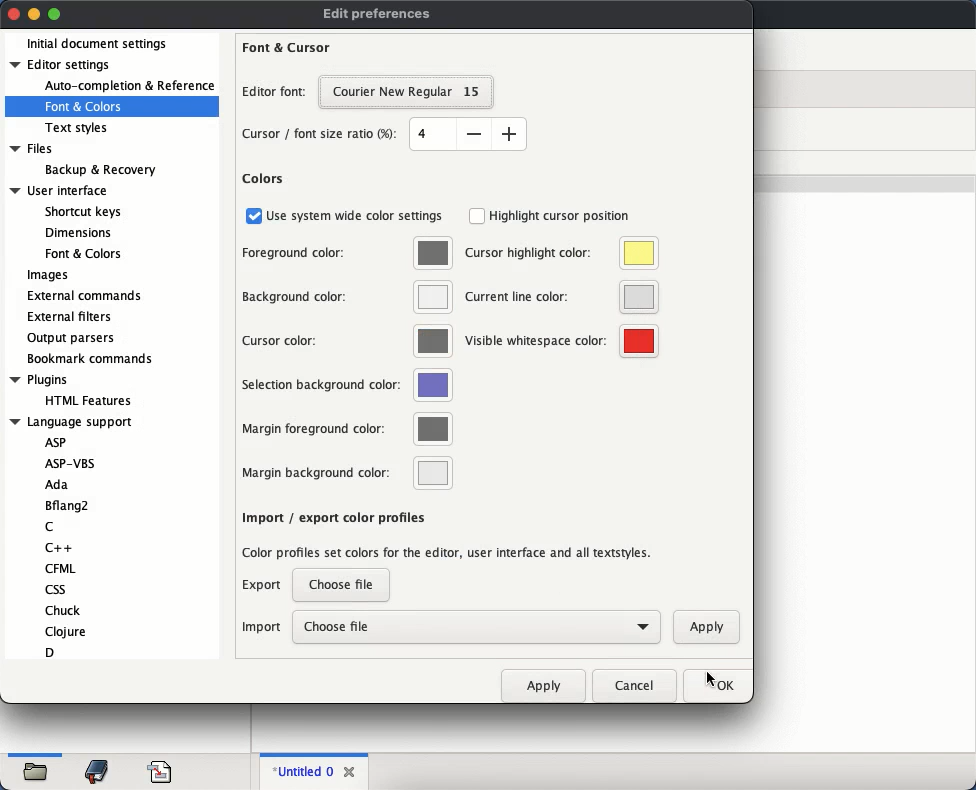  What do you see at coordinates (37, 774) in the screenshot?
I see `open` at bounding box center [37, 774].